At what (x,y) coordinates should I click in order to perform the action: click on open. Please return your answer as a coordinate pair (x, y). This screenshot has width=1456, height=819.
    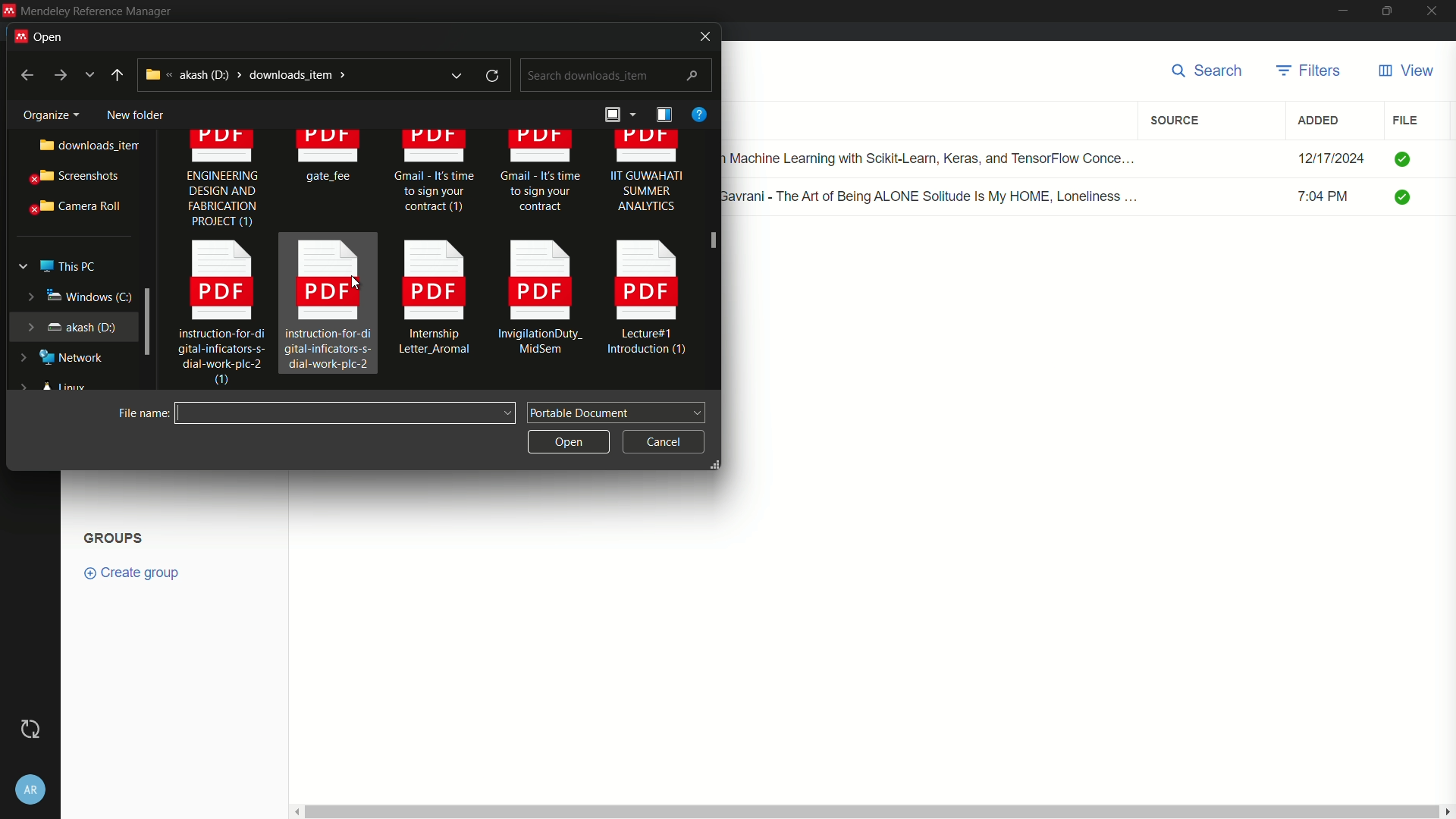
    Looking at the image, I should click on (46, 35).